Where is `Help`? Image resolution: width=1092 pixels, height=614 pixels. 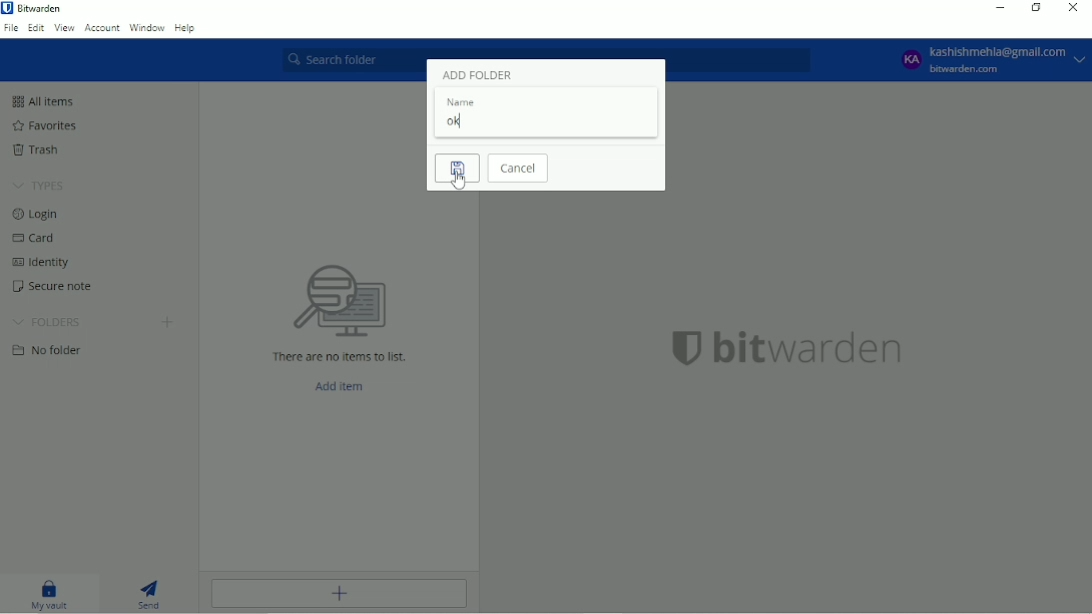 Help is located at coordinates (186, 29).